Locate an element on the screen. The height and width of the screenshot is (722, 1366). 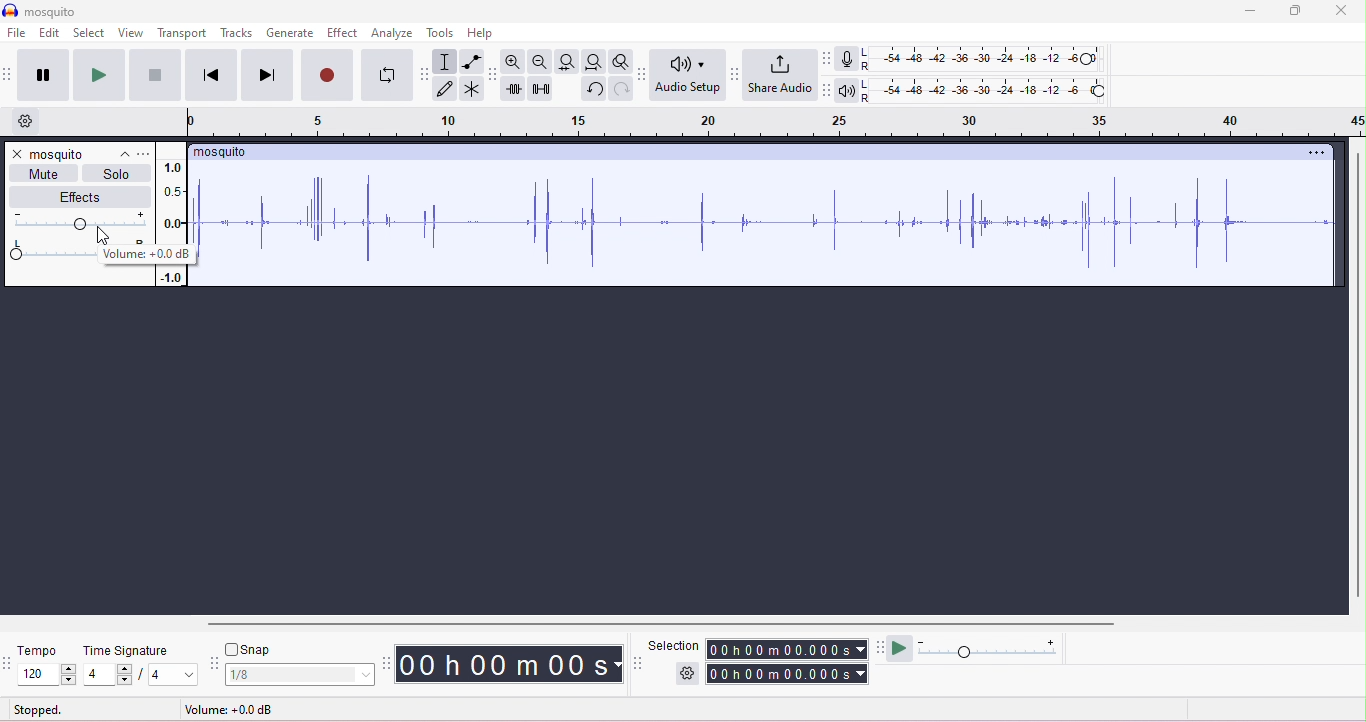
minimize is located at coordinates (1249, 11).